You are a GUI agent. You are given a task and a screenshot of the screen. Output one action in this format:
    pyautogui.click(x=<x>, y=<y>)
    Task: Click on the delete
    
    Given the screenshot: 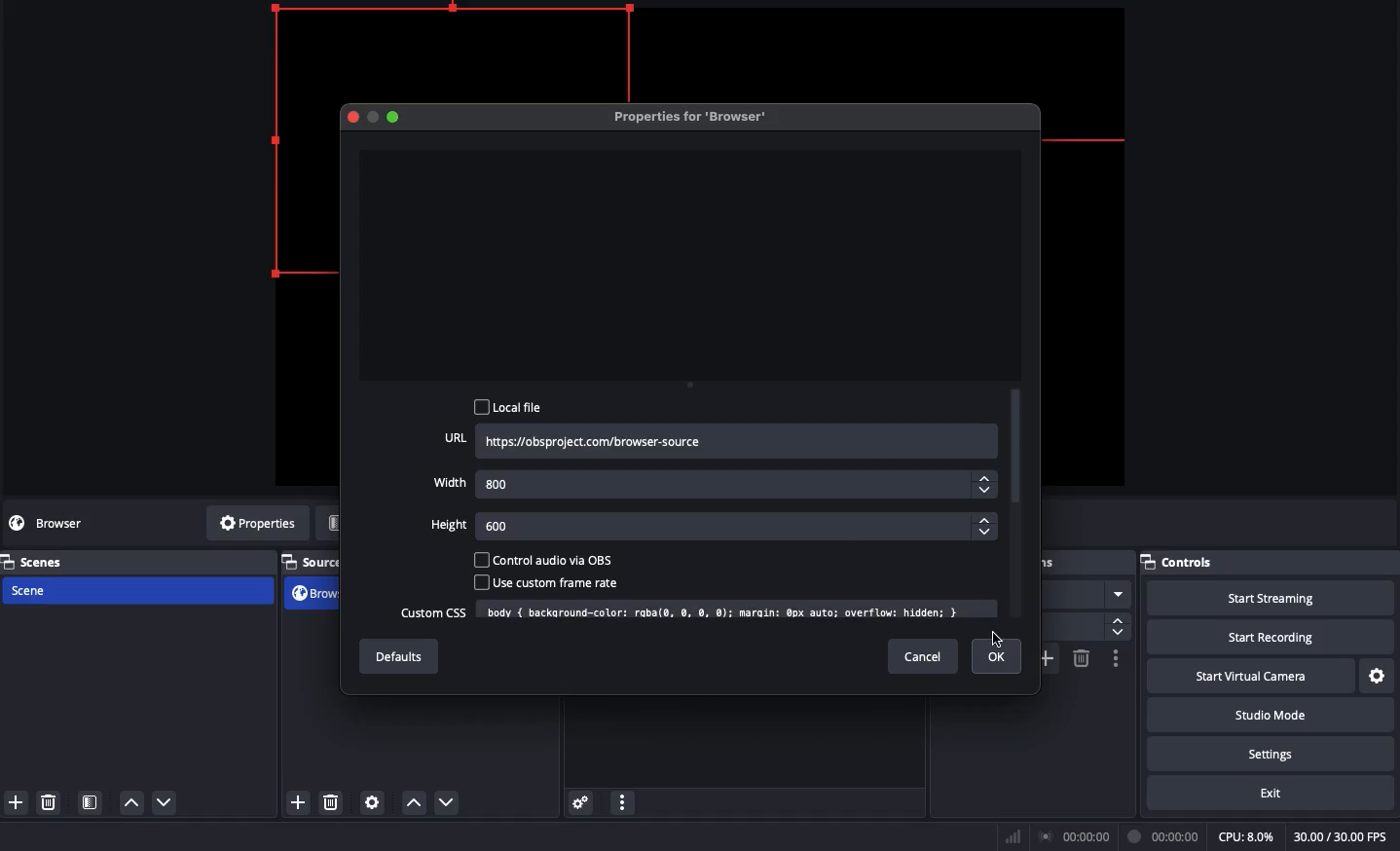 What is the action you would take?
    pyautogui.click(x=53, y=804)
    